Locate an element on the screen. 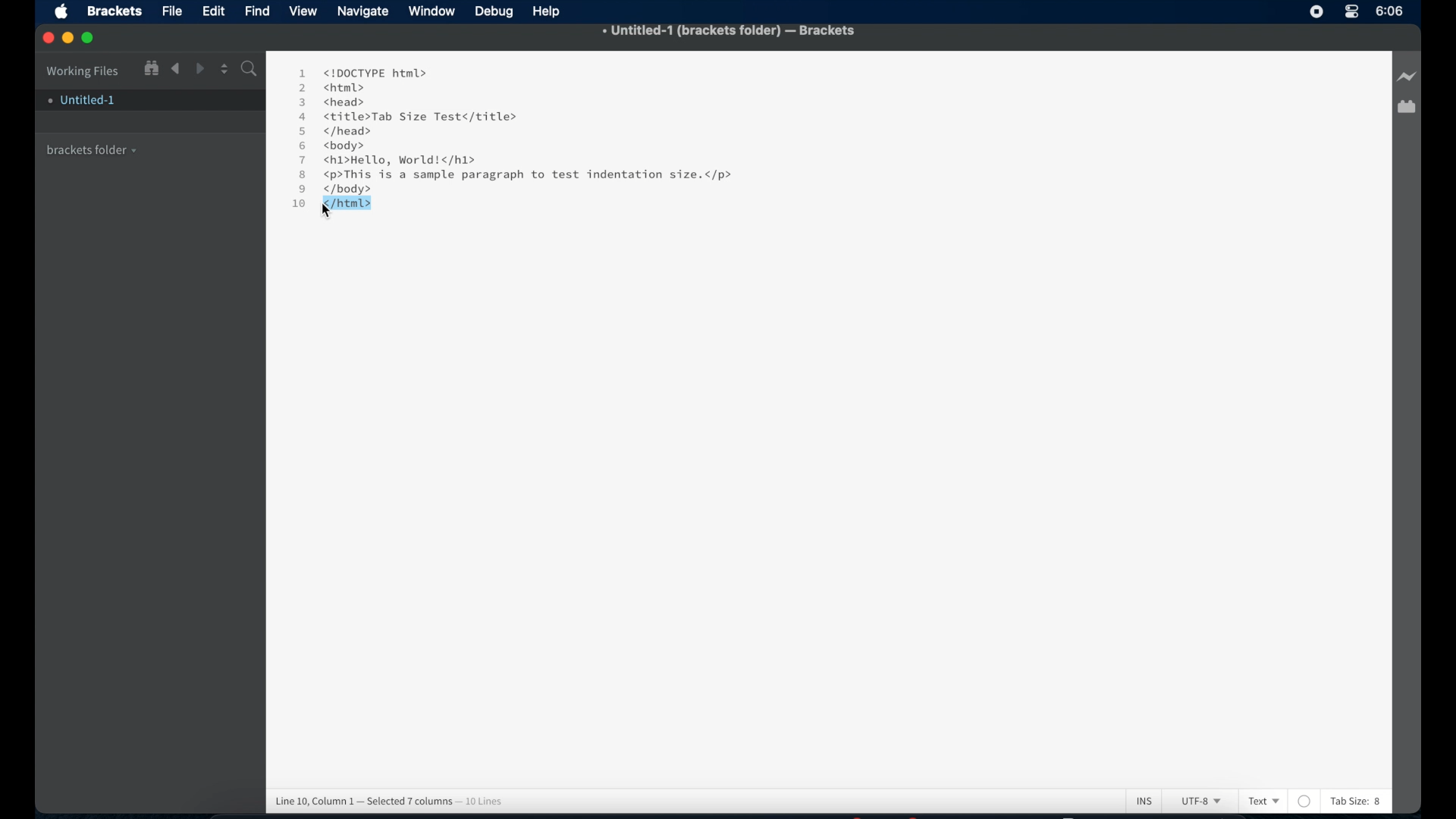  Help is located at coordinates (550, 11).